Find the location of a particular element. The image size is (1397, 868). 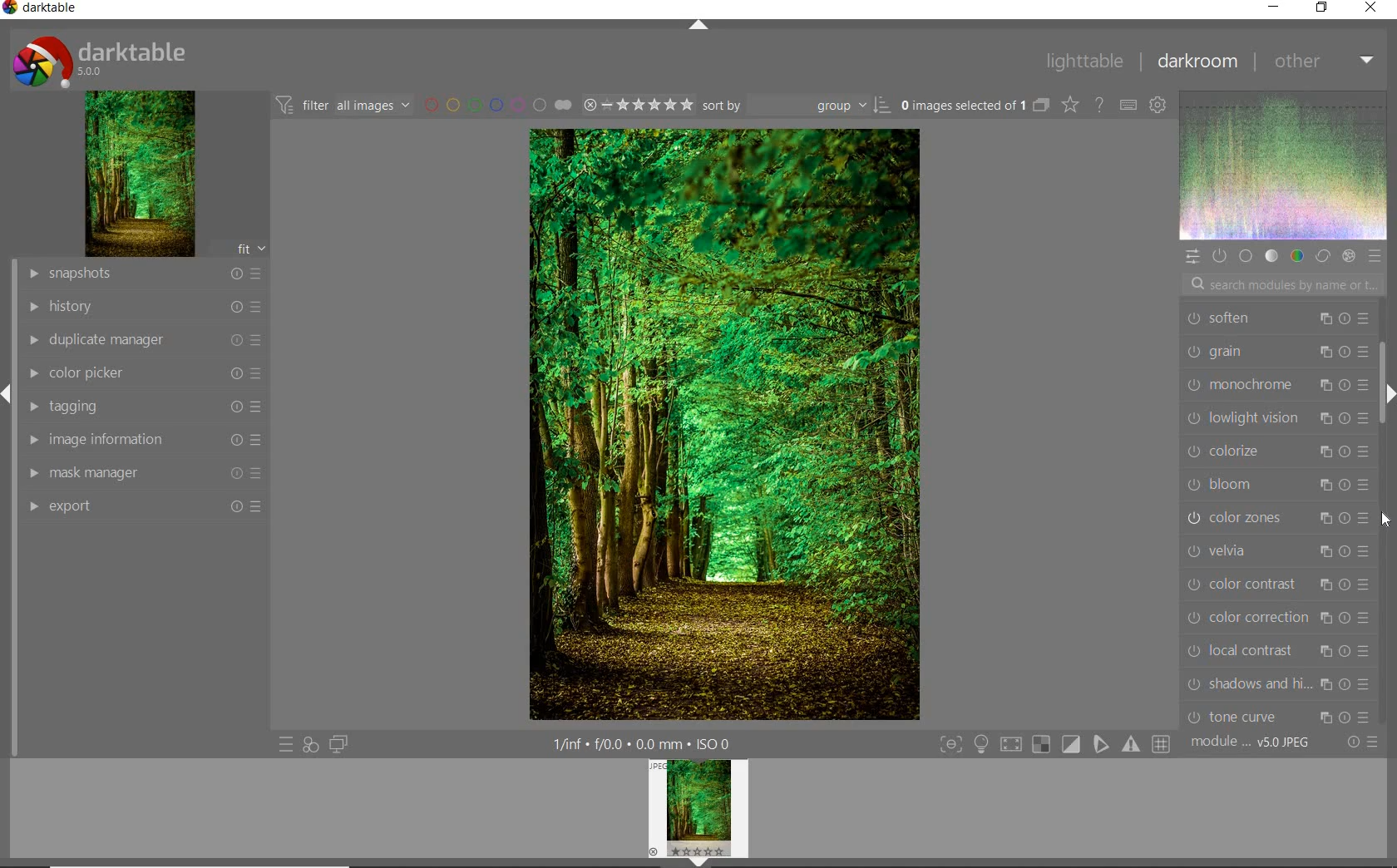

DEFINE KEYBOARD SHOTCUT is located at coordinates (1129, 104).